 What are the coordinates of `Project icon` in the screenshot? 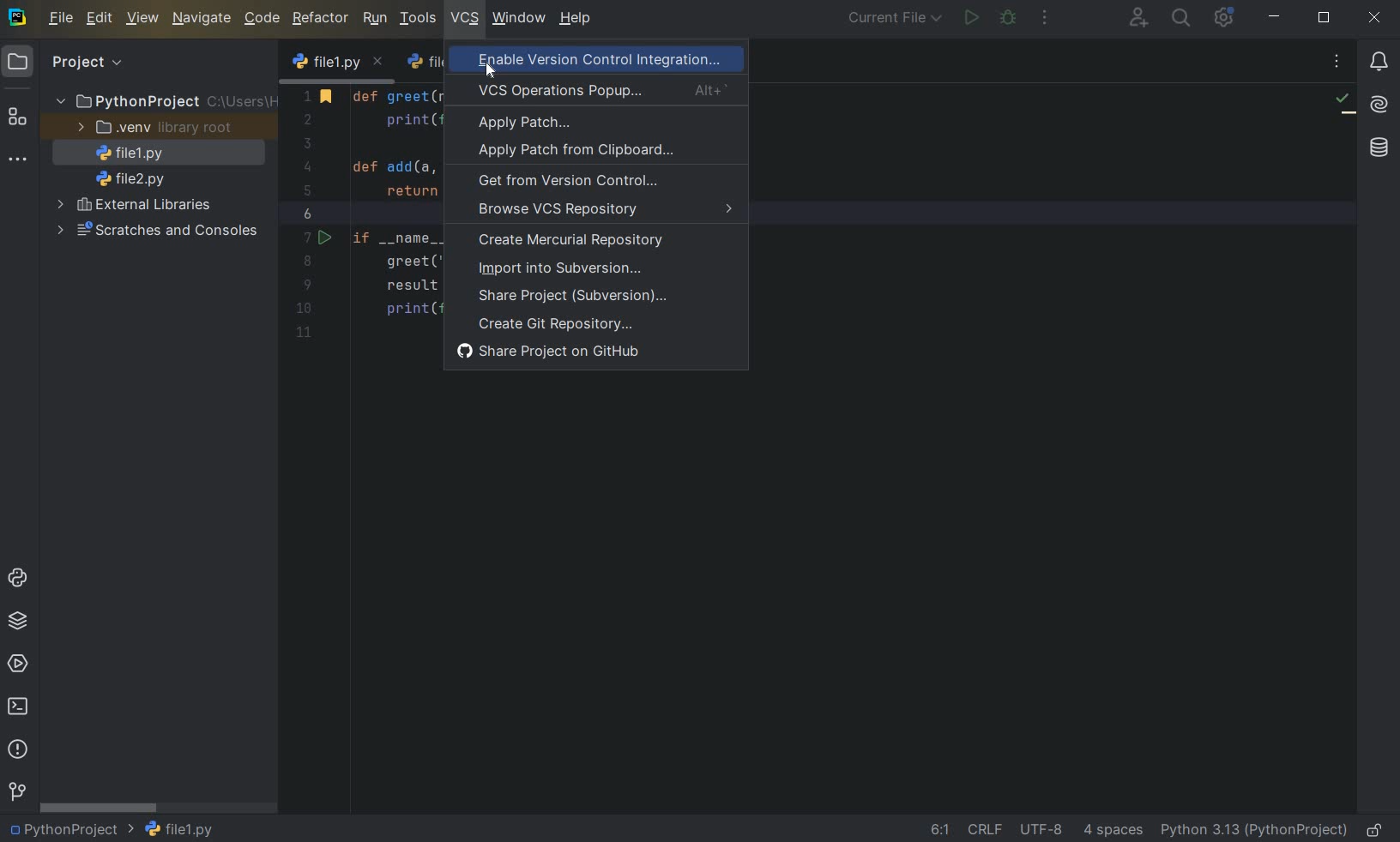 It's located at (18, 63).